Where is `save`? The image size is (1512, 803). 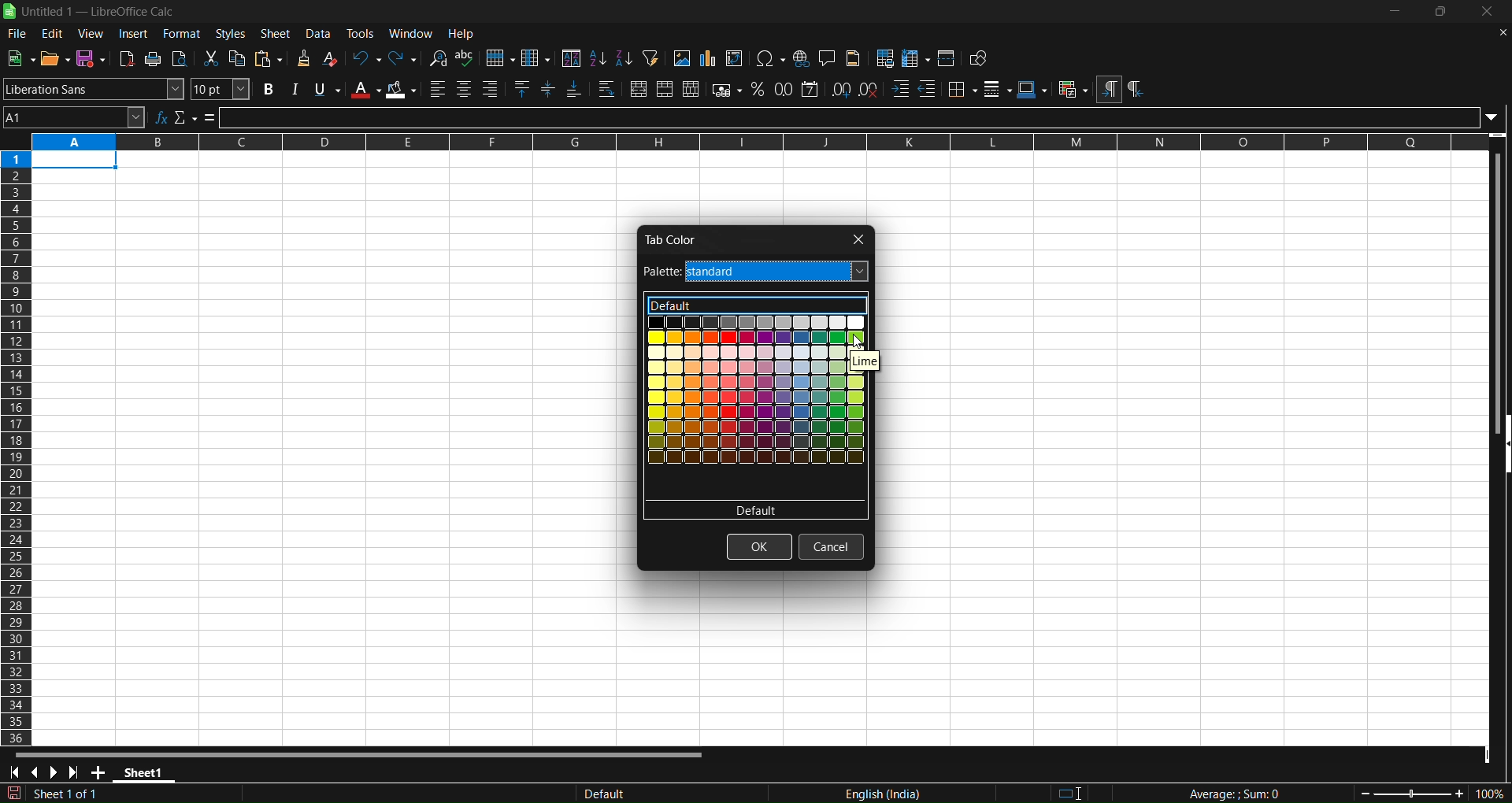 save is located at coordinates (91, 58).